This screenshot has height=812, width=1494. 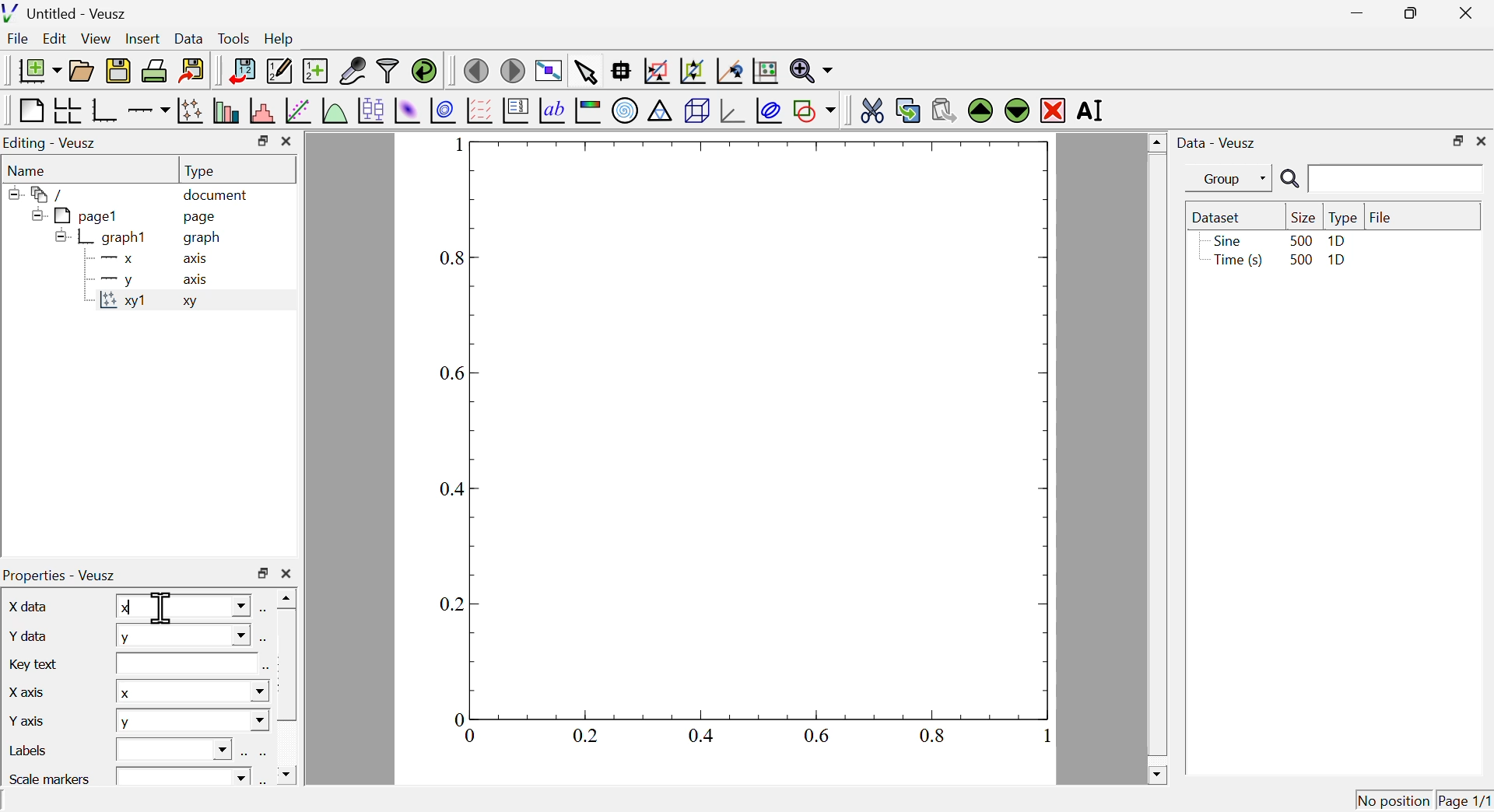 I want to click on plot bar charts, so click(x=226, y=112).